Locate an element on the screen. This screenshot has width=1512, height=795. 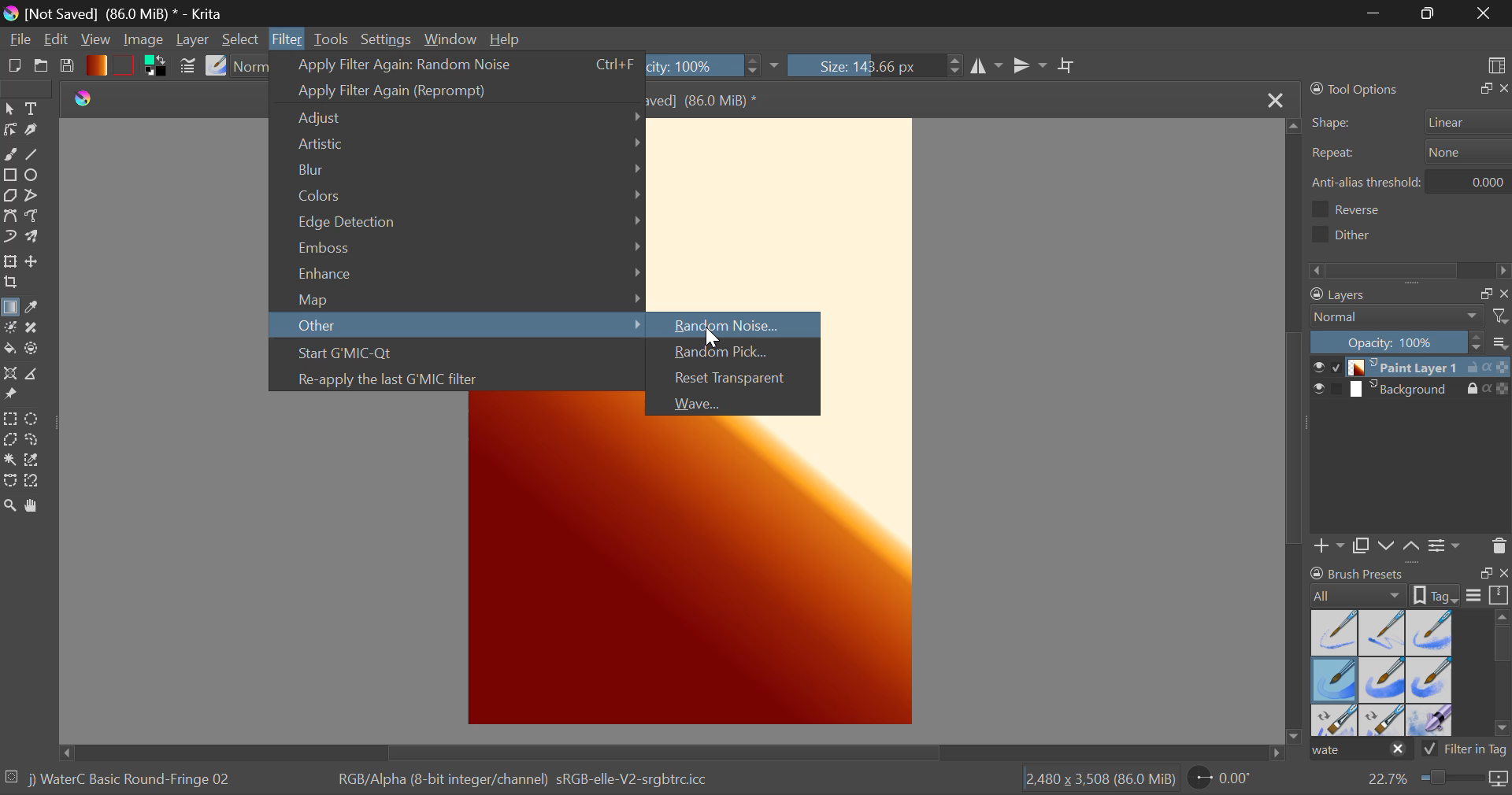
Move Layers is located at coordinates (32, 261).